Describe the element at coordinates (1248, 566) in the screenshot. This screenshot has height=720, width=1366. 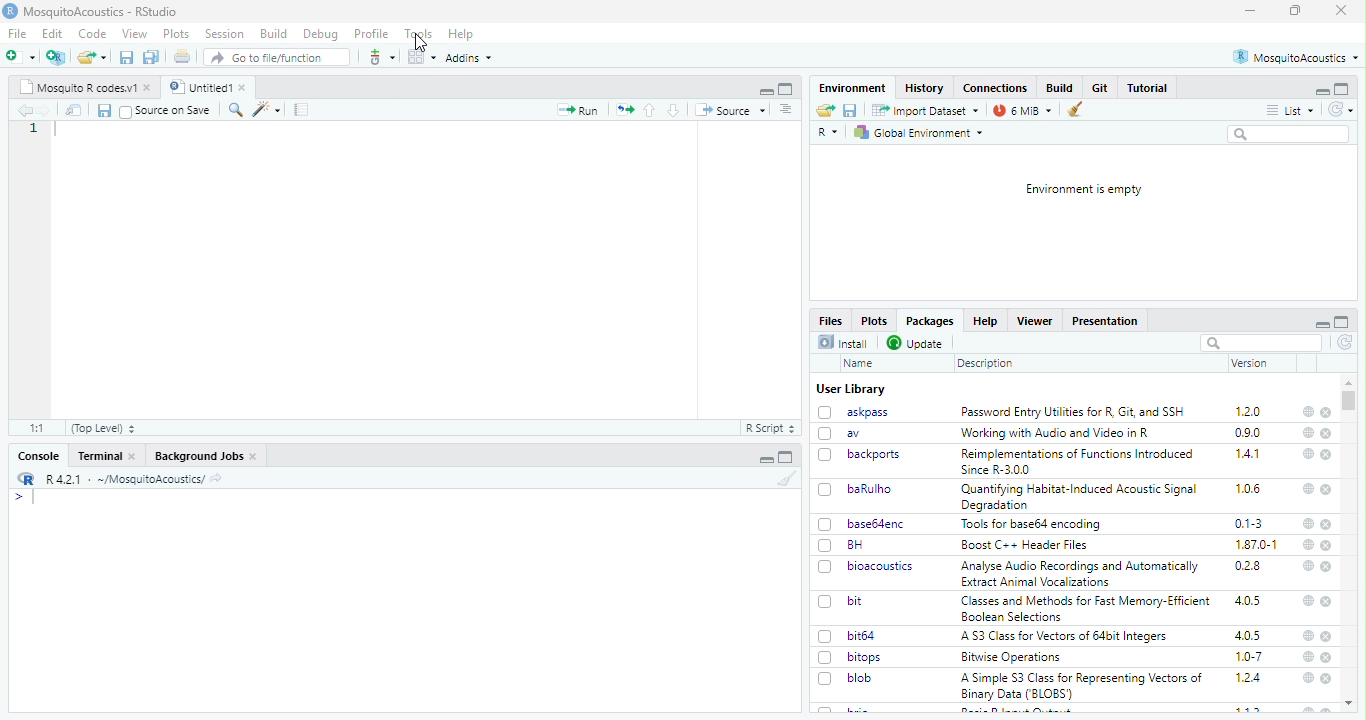
I see `028` at that location.